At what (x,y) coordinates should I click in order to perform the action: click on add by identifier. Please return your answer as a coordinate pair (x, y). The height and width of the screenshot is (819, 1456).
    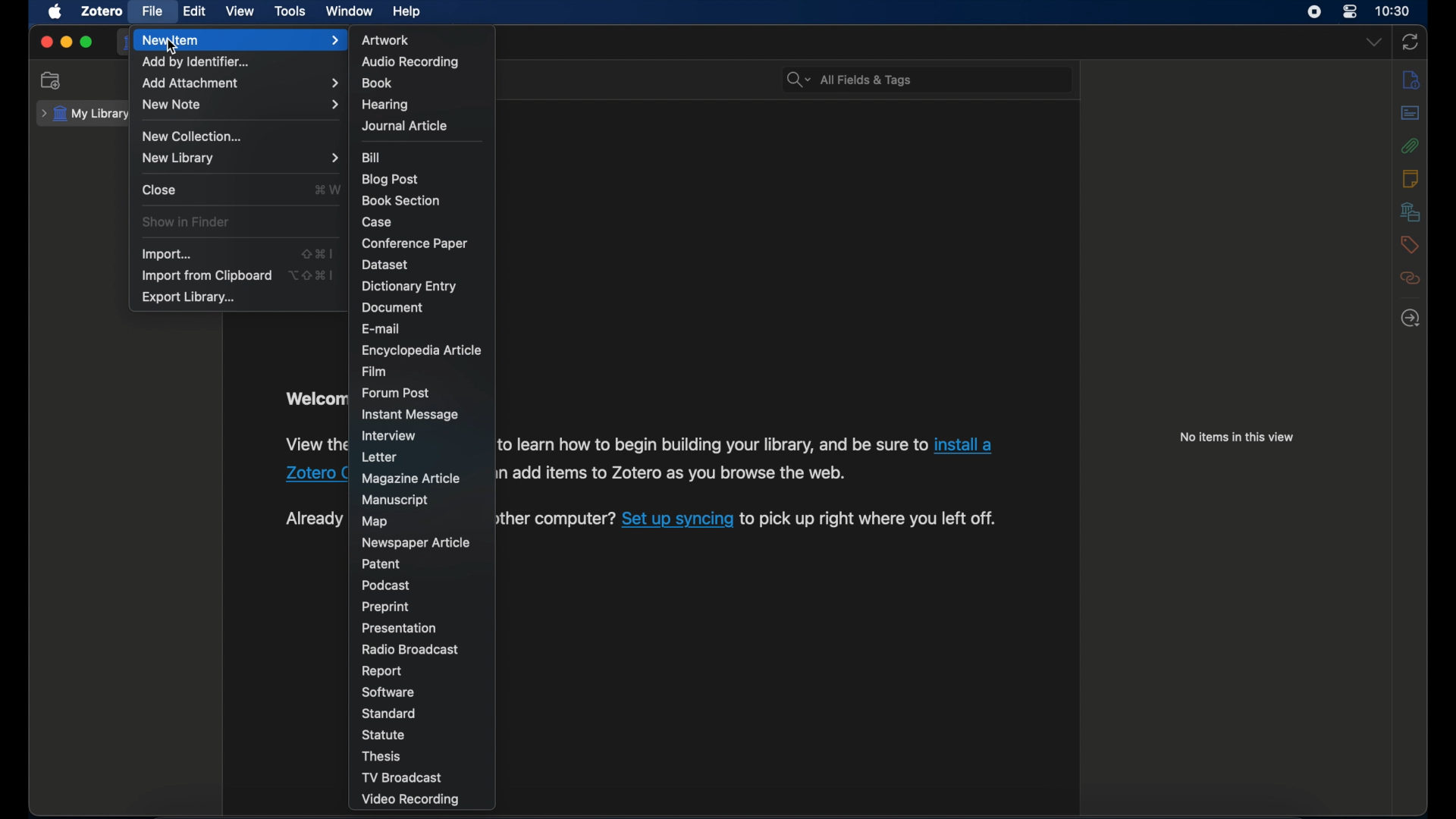
    Looking at the image, I should click on (197, 62).